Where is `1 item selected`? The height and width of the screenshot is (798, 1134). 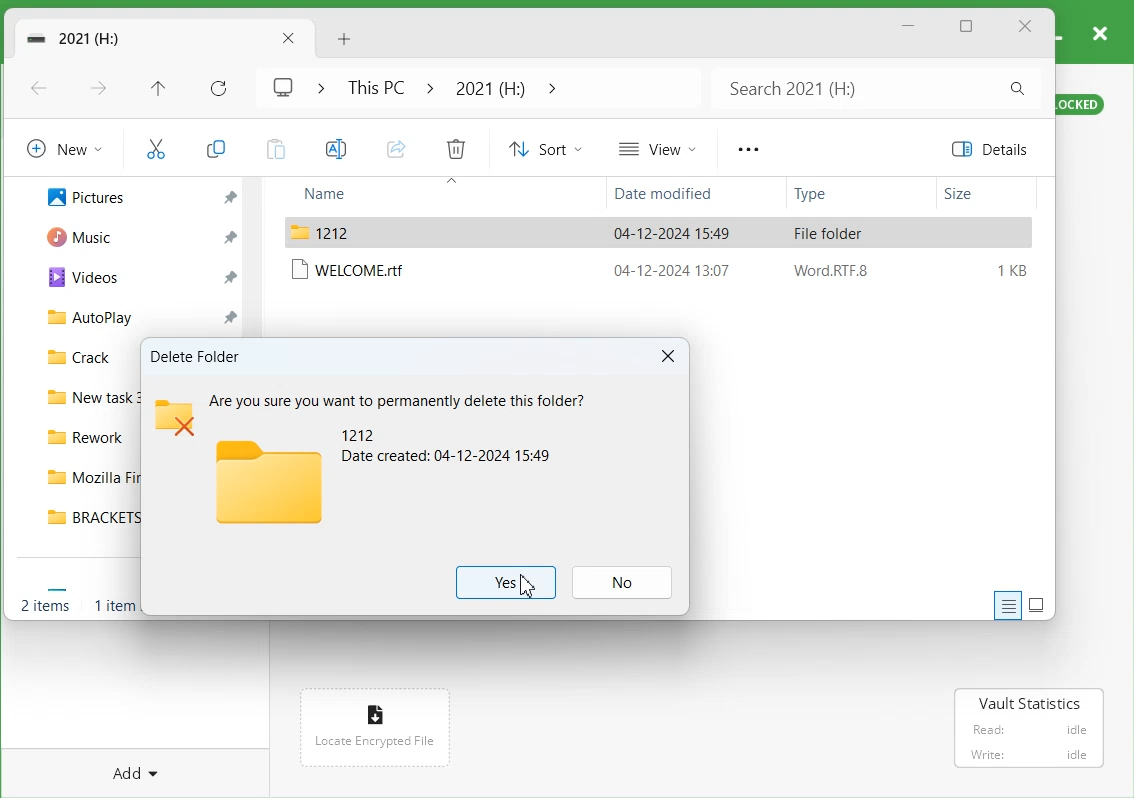
1 item selected is located at coordinates (113, 605).